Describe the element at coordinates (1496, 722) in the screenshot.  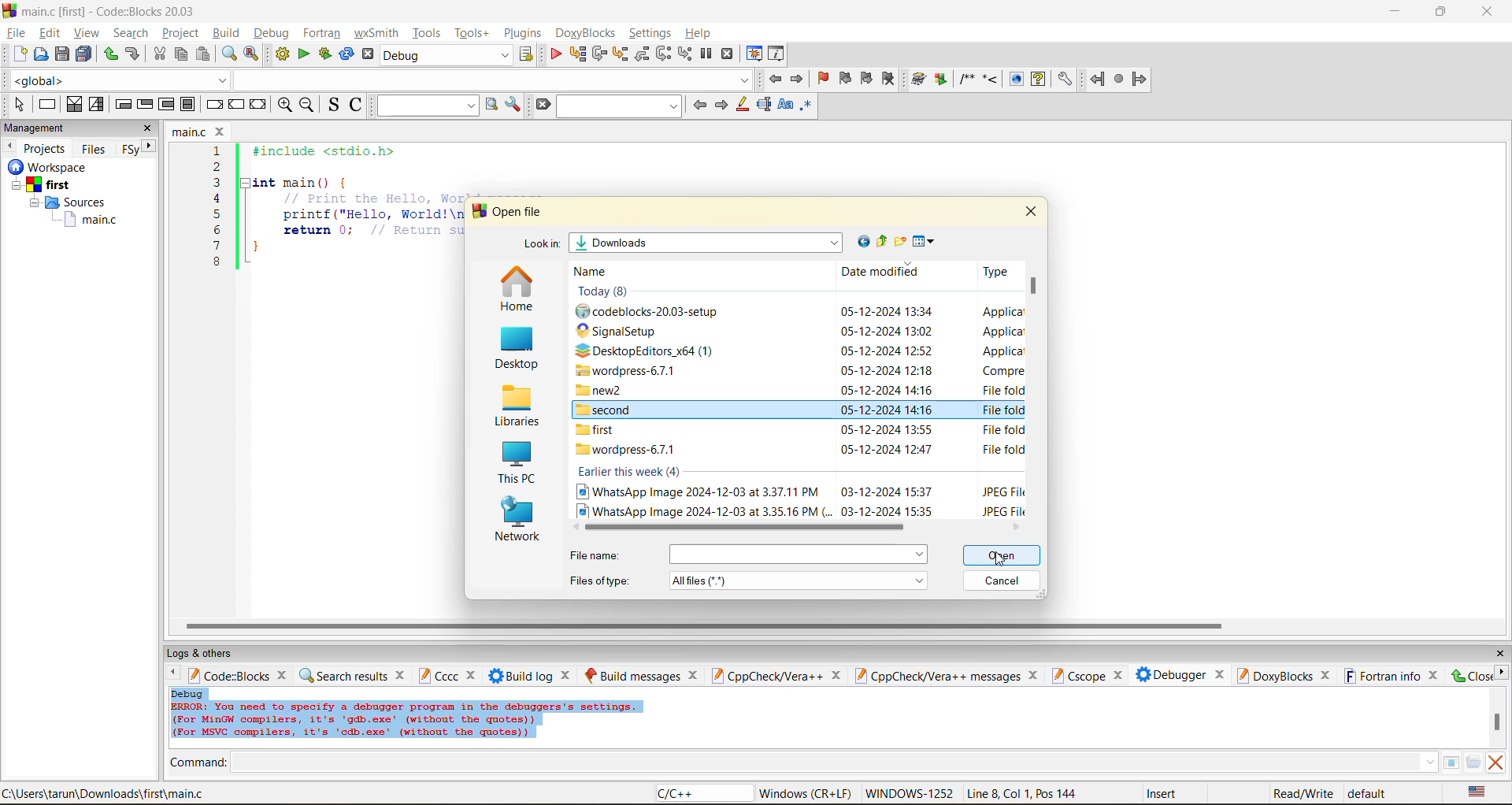
I see `vertical scroll bar` at that location.